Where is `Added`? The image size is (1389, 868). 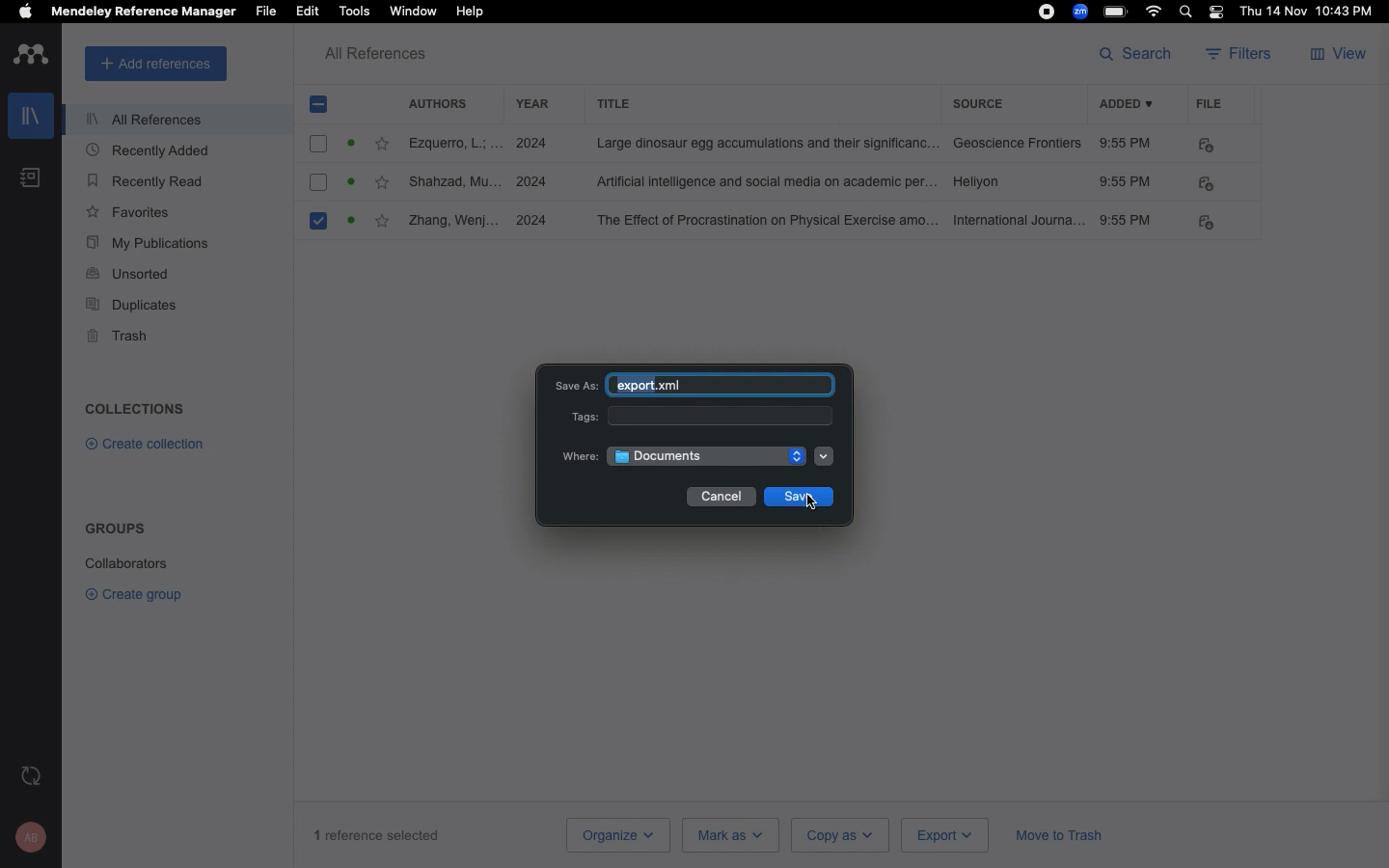 Added is located at coordinates (1131, 106).